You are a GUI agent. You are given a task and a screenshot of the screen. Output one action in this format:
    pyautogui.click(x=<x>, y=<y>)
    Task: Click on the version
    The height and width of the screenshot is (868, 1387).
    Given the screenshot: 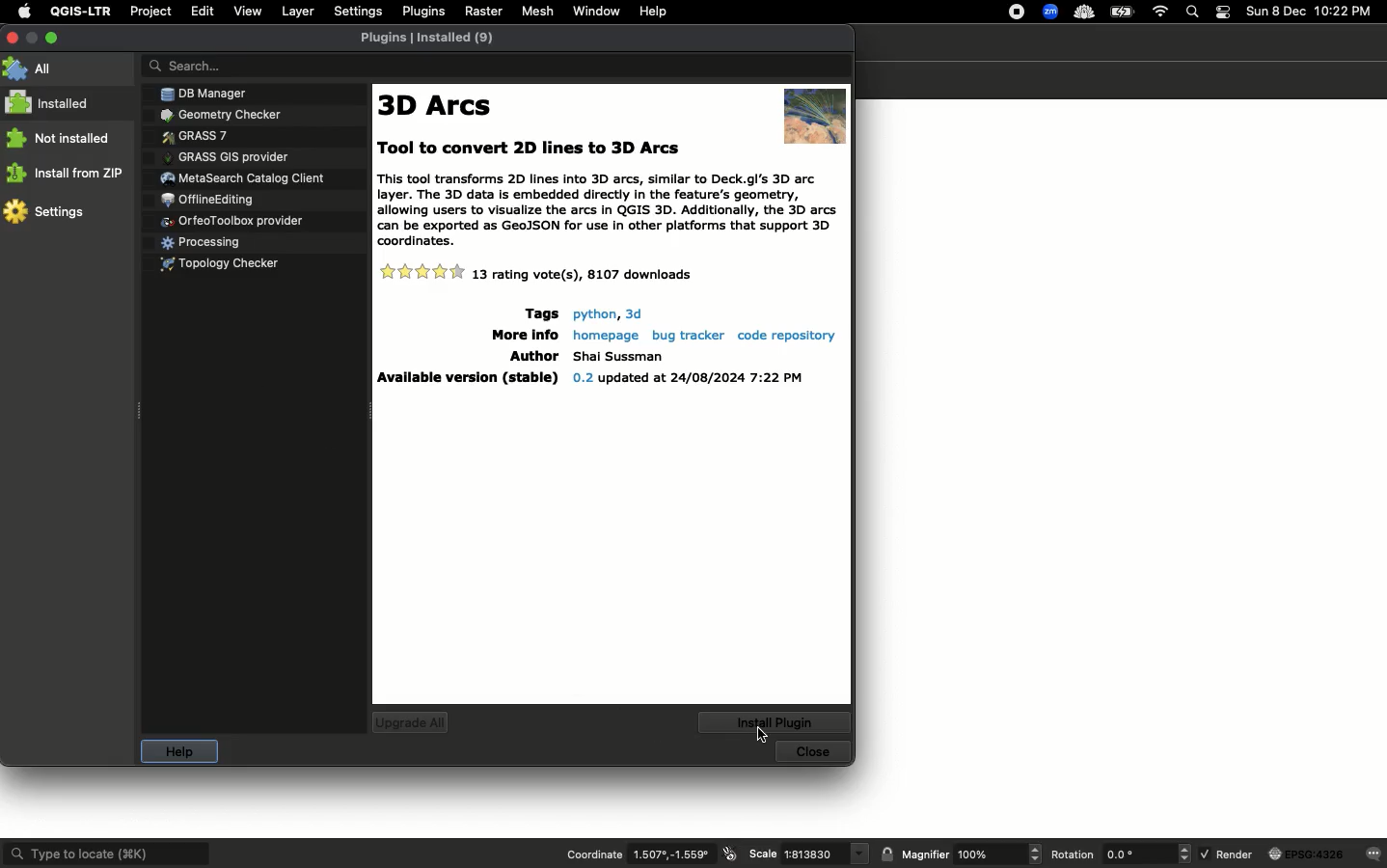 What is the action you would take?
    pyautogui.click(x=686, y=380)
    